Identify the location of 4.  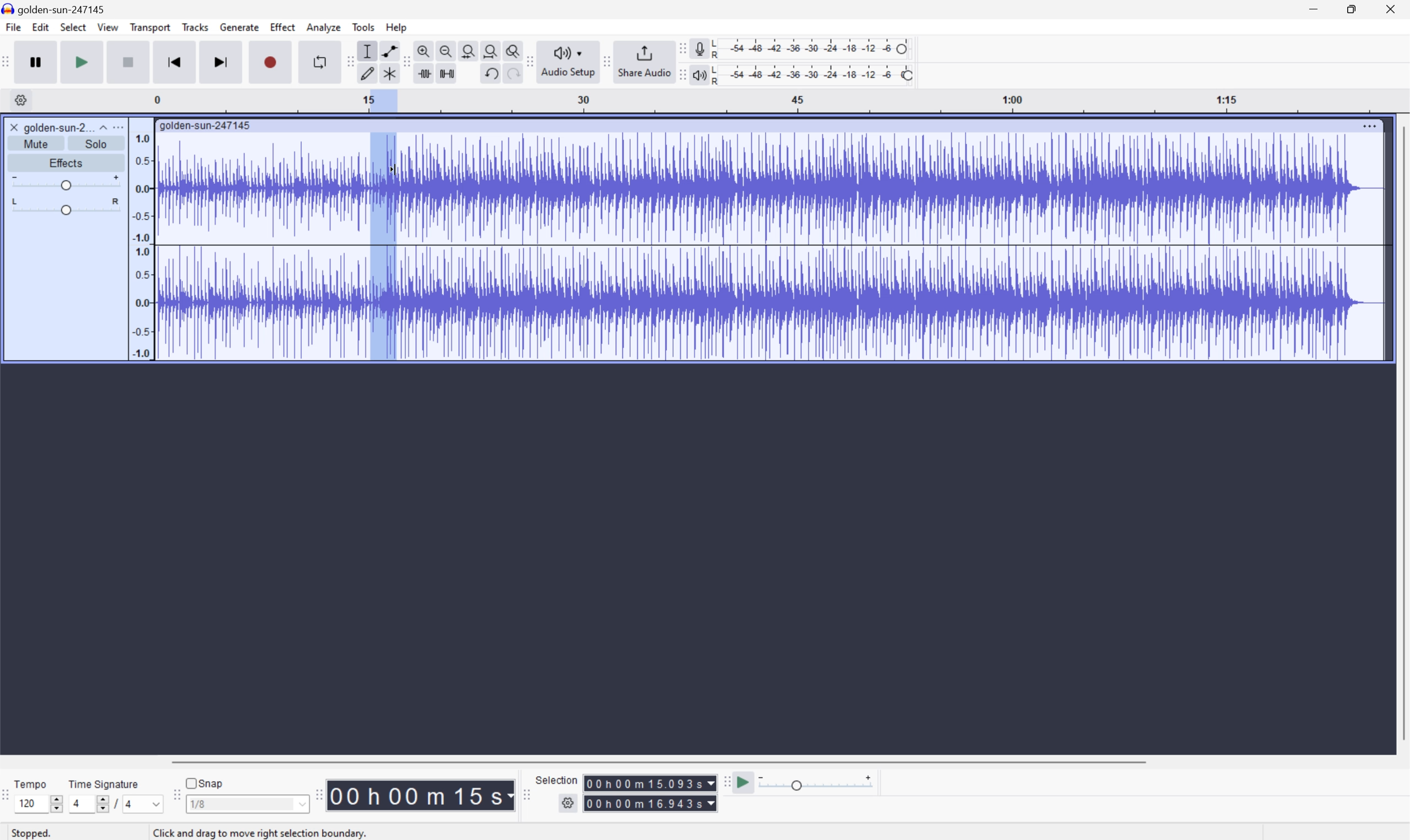
(130, 805).